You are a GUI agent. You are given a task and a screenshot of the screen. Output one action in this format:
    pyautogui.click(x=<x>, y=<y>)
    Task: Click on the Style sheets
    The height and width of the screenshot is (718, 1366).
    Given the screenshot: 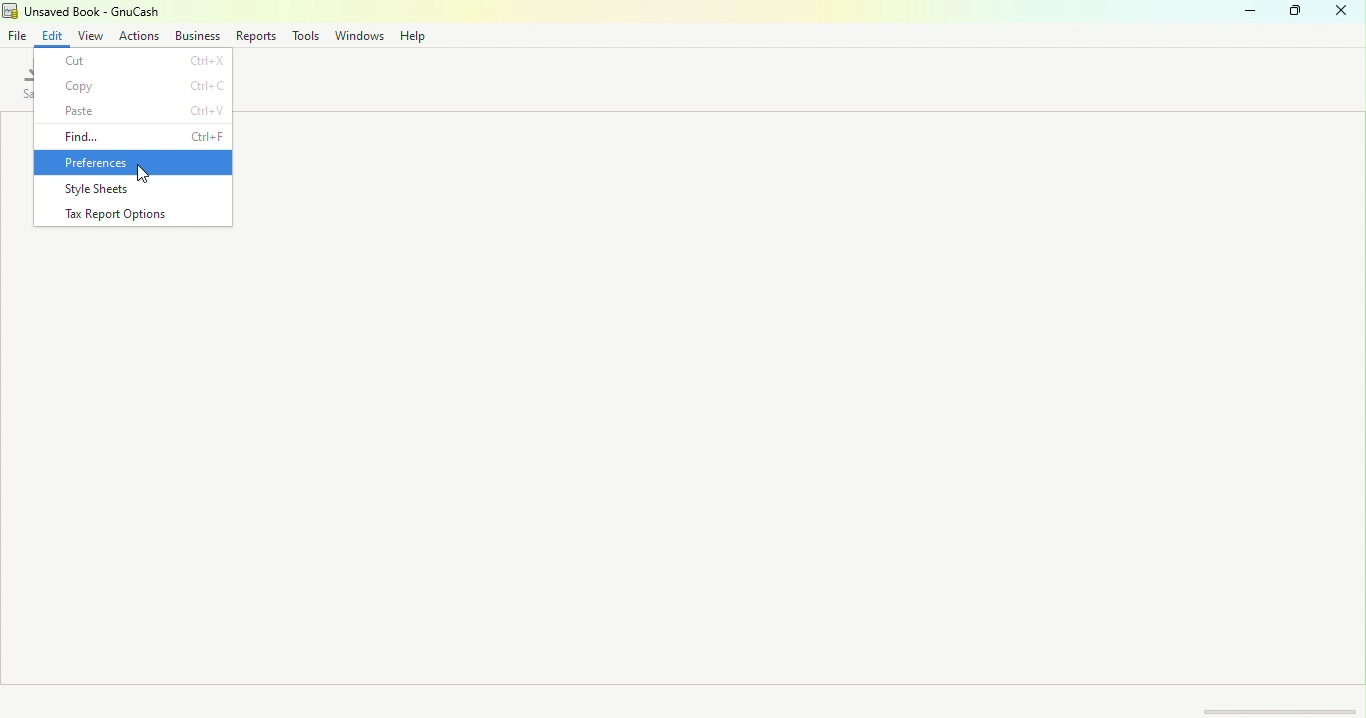 What is the action you would take?
    pyautogui.click(x=138, y=189)
    